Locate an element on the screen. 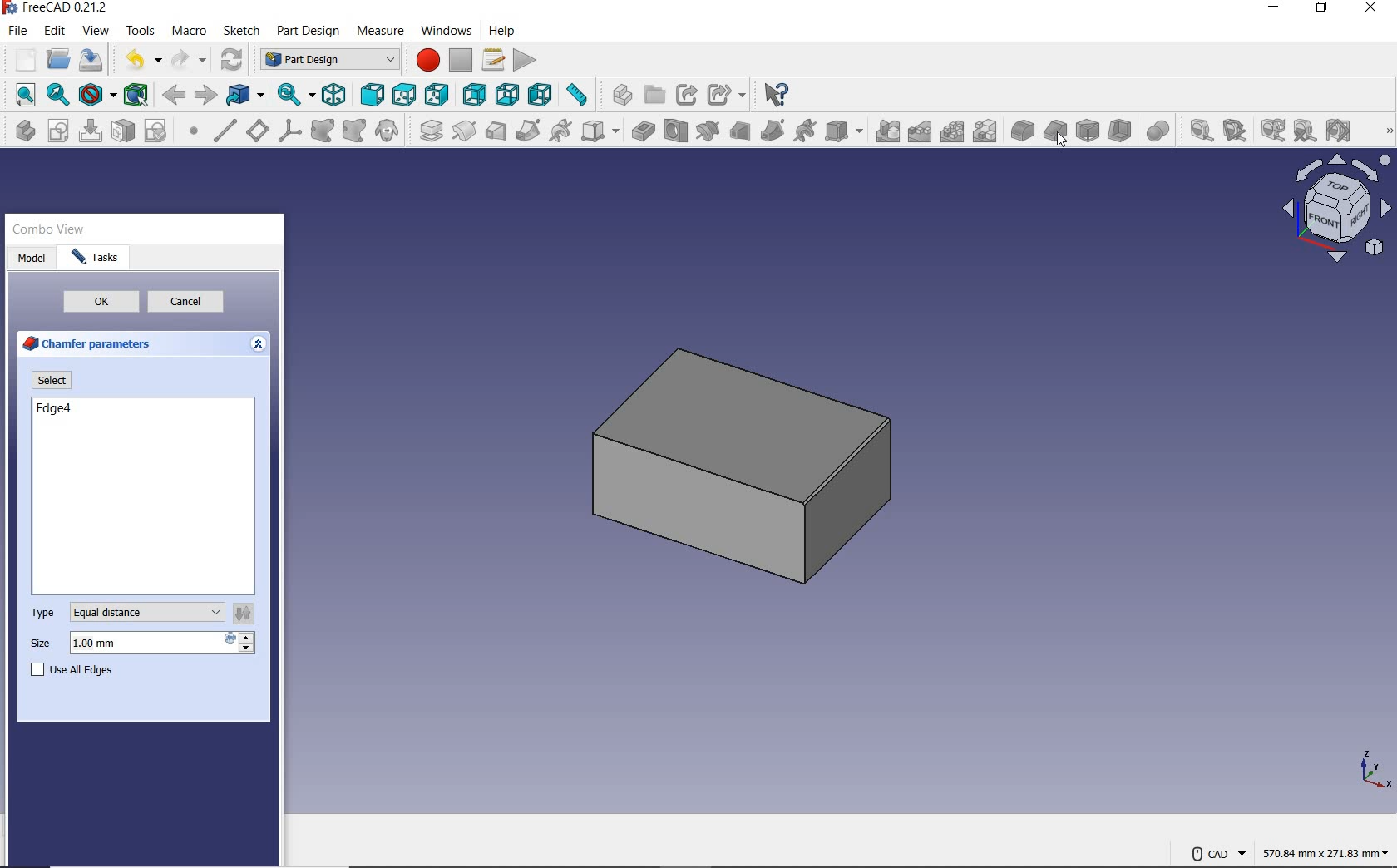 The image size is (1397, 868). select is located at coordinates (49, 380).